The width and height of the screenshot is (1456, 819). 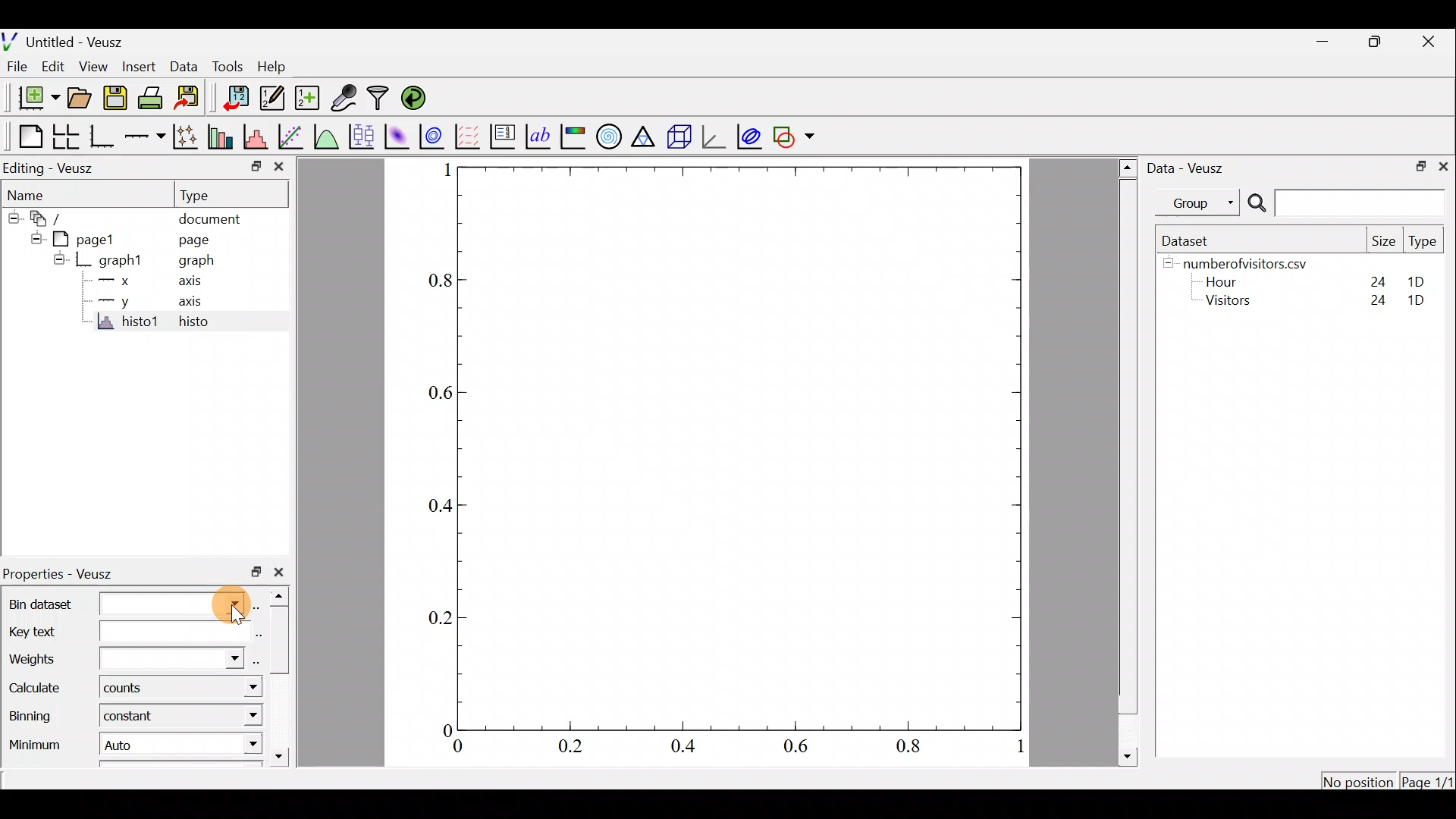 What do you see at coordinates (1195, 171) in the screenshot?
I see `Data - Veusz` at bounding box center [1195, 171].